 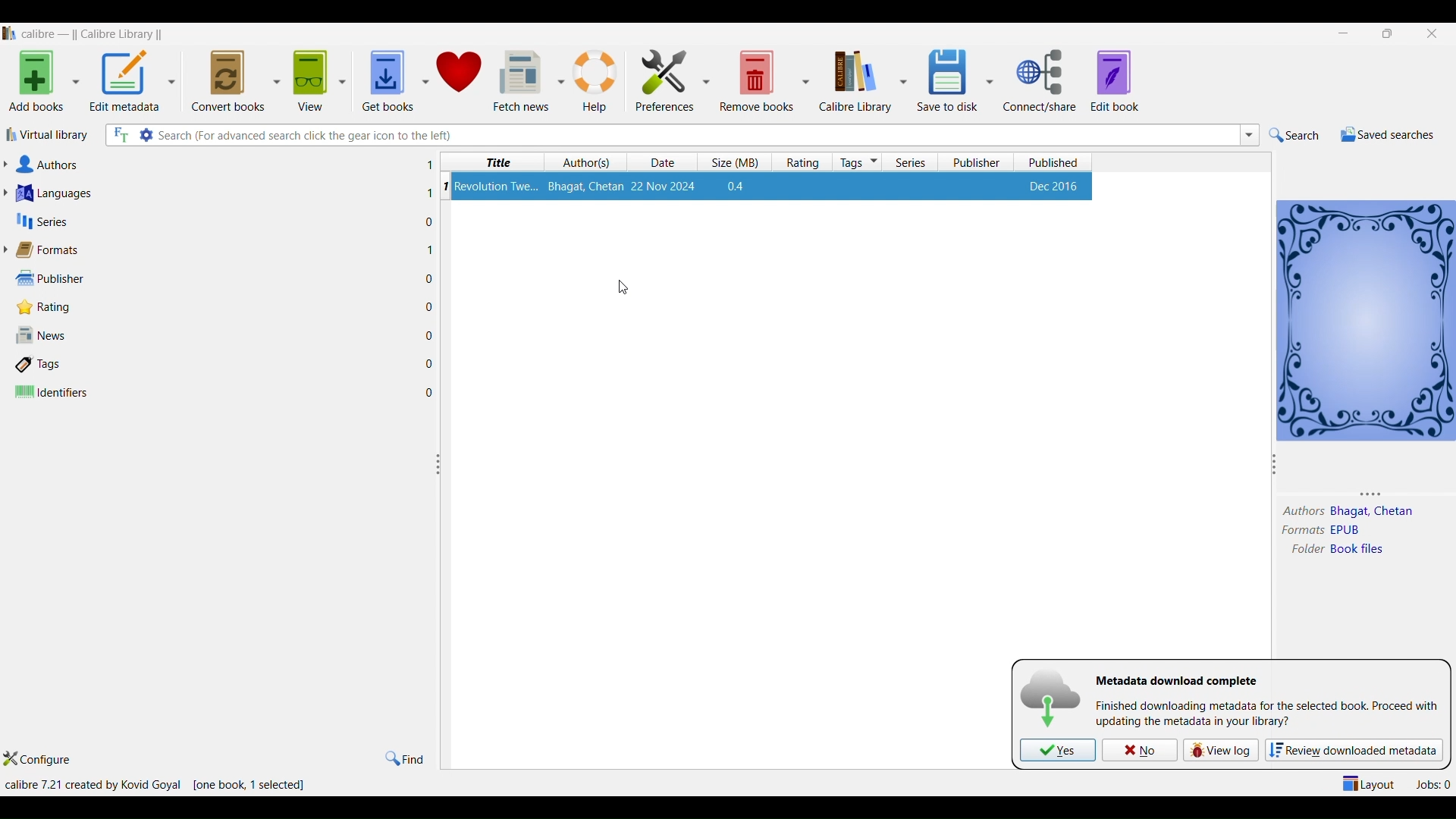 What do you see at coordinates (1121, 80) in the screenshot?
I see `edit book` at bounding box center [1121, 80].